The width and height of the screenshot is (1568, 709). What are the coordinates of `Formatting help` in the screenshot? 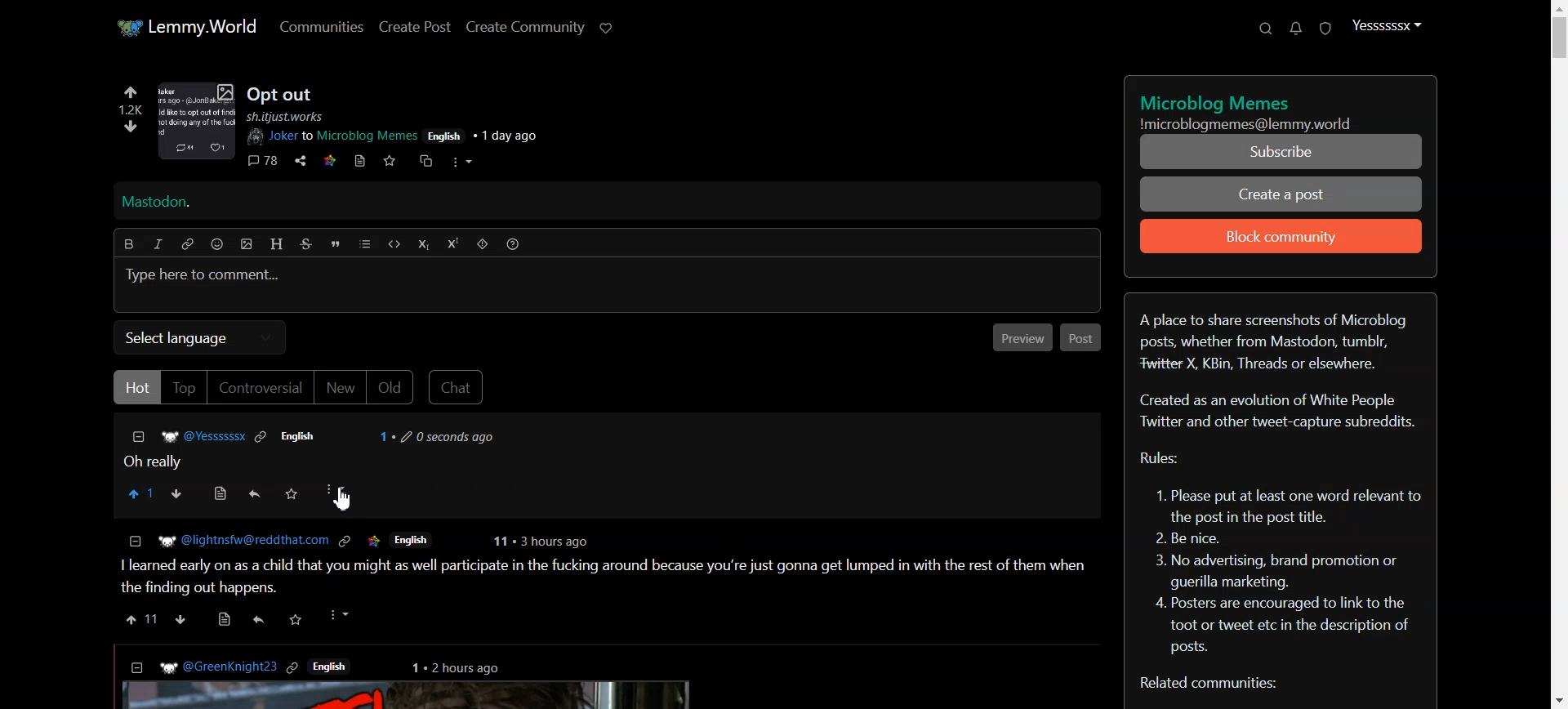 It's located at (514, 243).